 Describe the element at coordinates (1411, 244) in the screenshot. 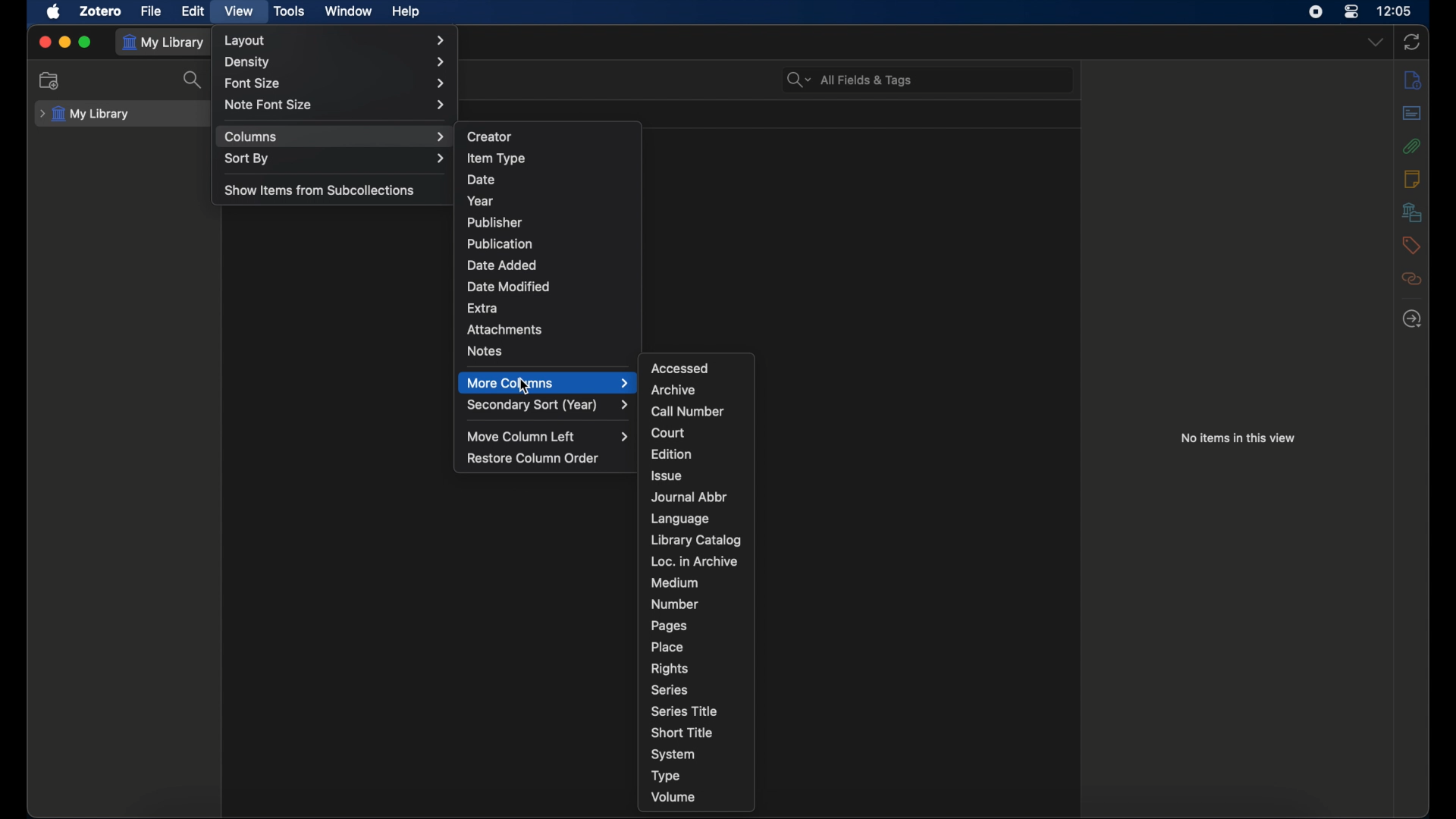

I see `tags` at that location.